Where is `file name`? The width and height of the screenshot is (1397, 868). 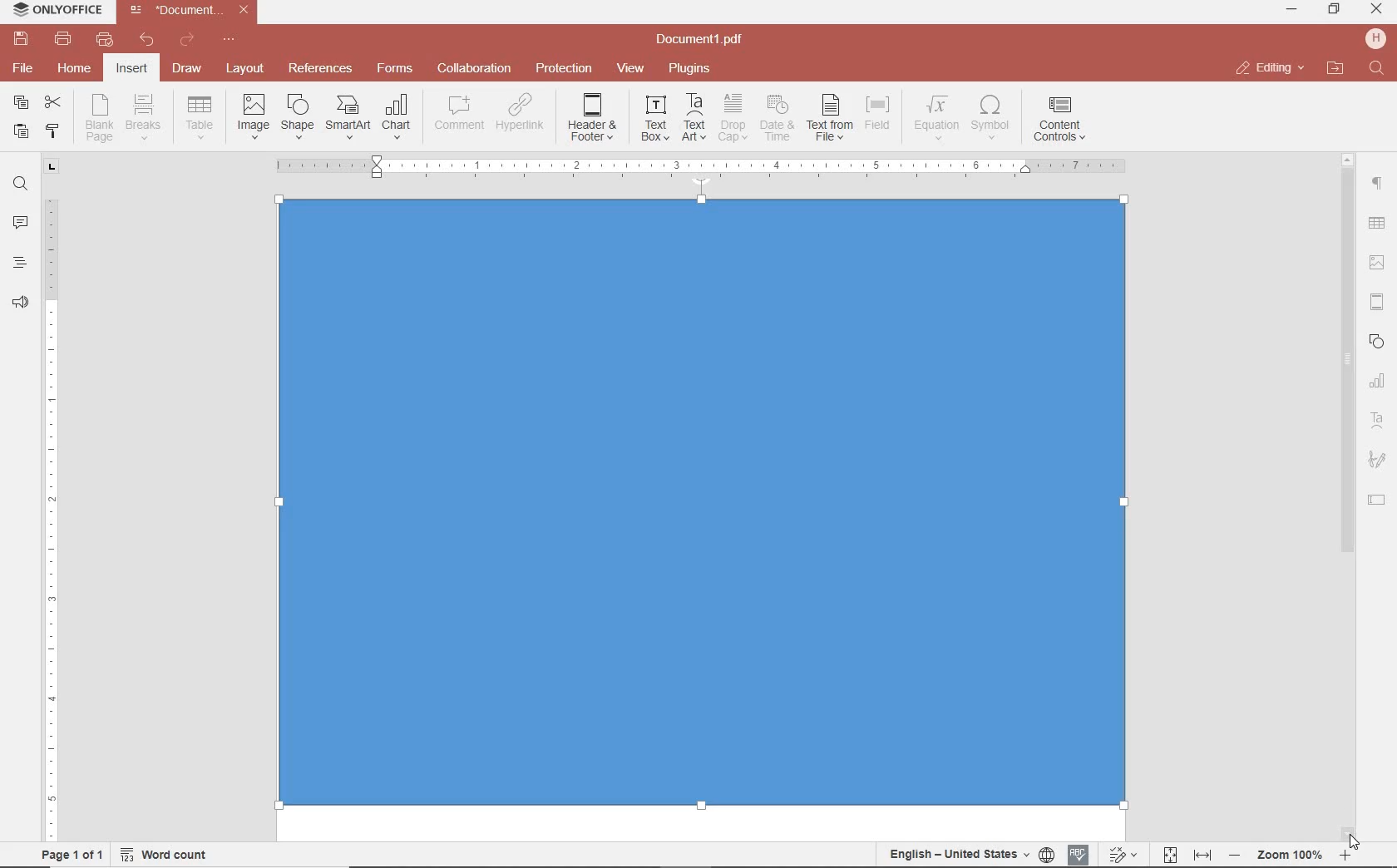
file name is located at coordinates (193, 10).